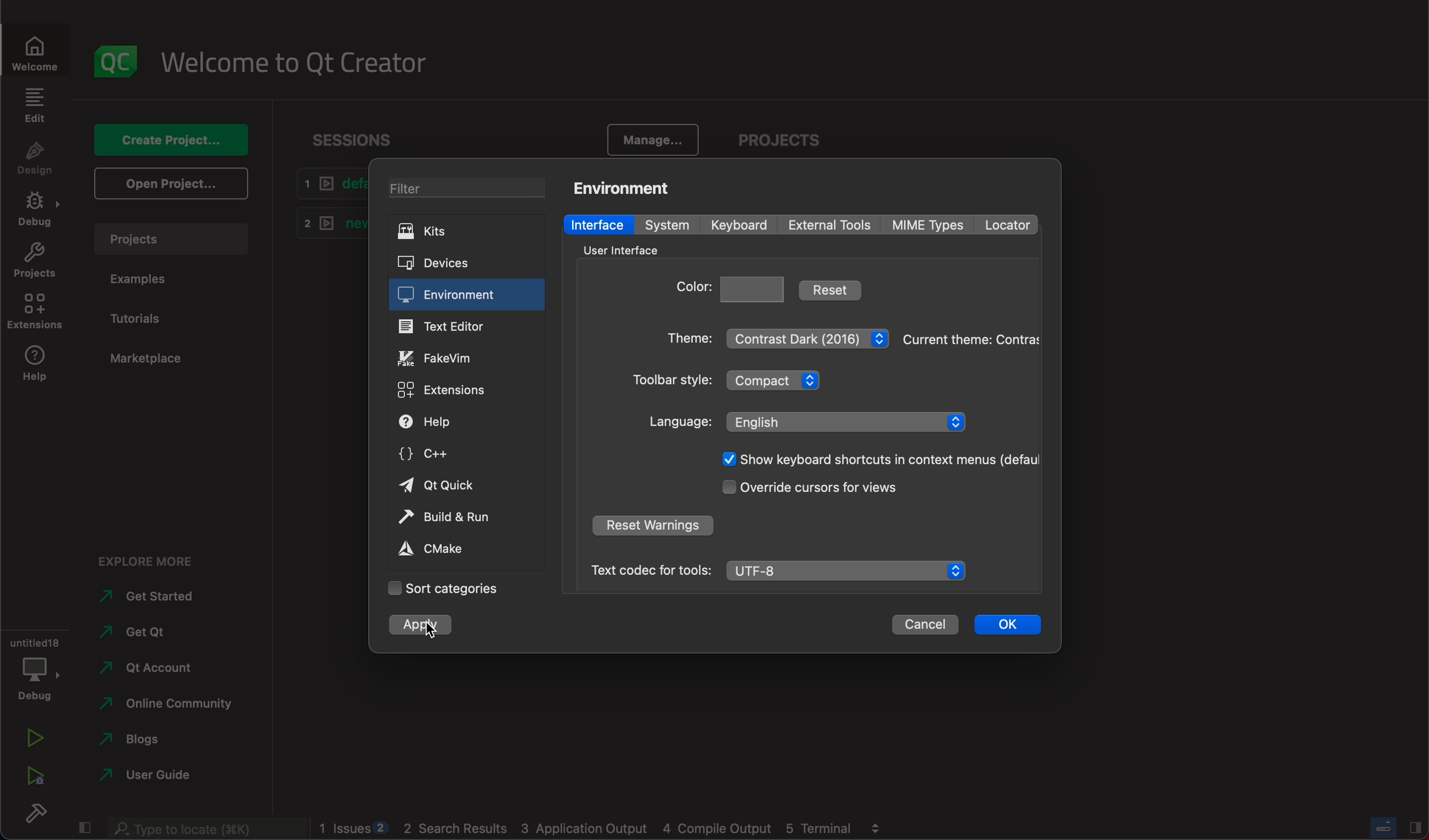 This screenshot has height=840, width=1429. Describe the element at coordinates (33, 50) in the screenshot. I see `welcome` at that location.